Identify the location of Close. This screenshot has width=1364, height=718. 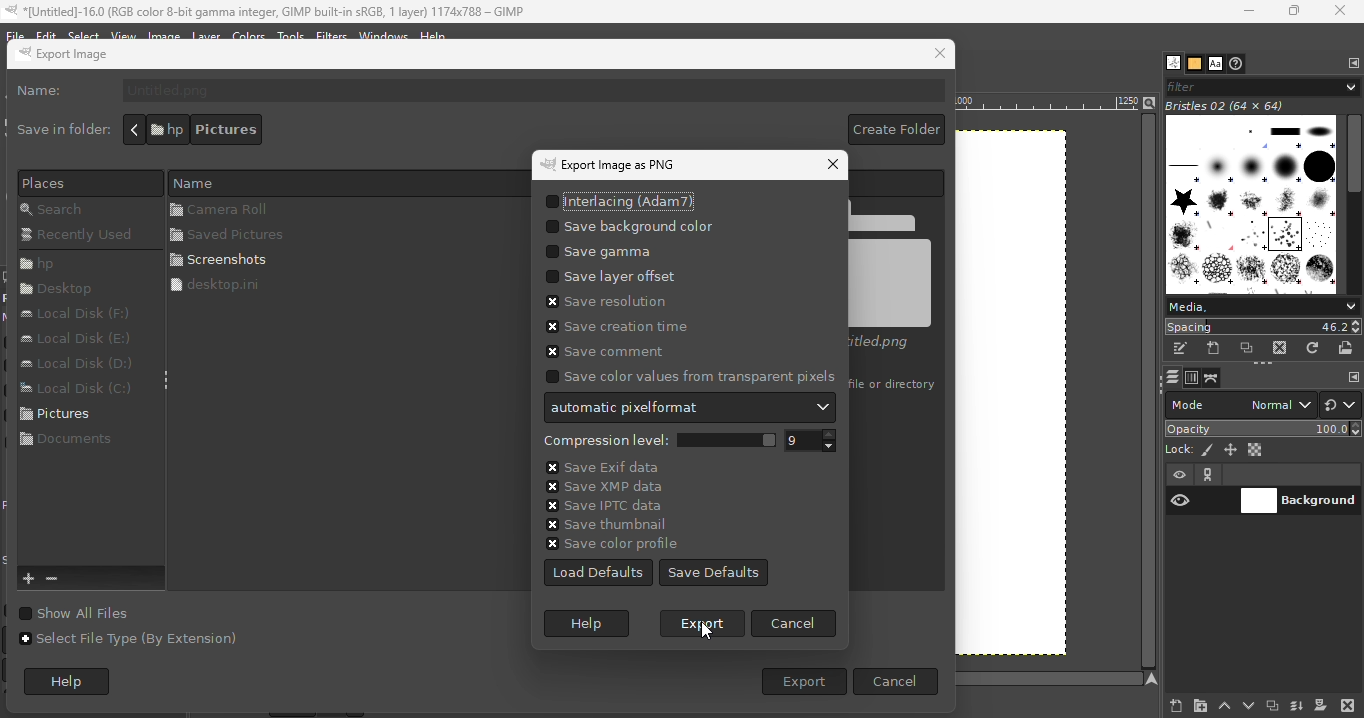
(821, 167).